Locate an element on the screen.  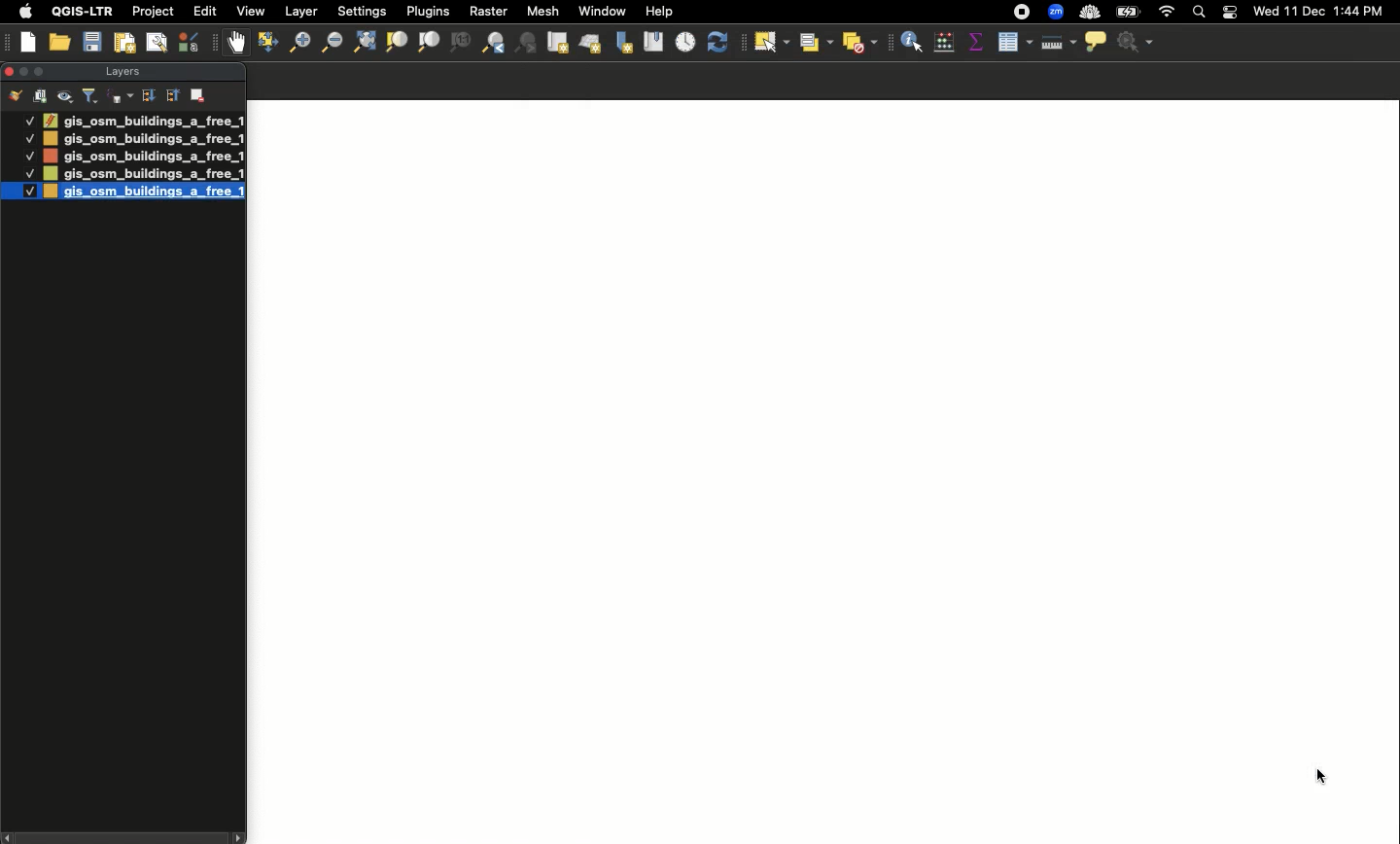
Help is located at coordinates (659, 12).